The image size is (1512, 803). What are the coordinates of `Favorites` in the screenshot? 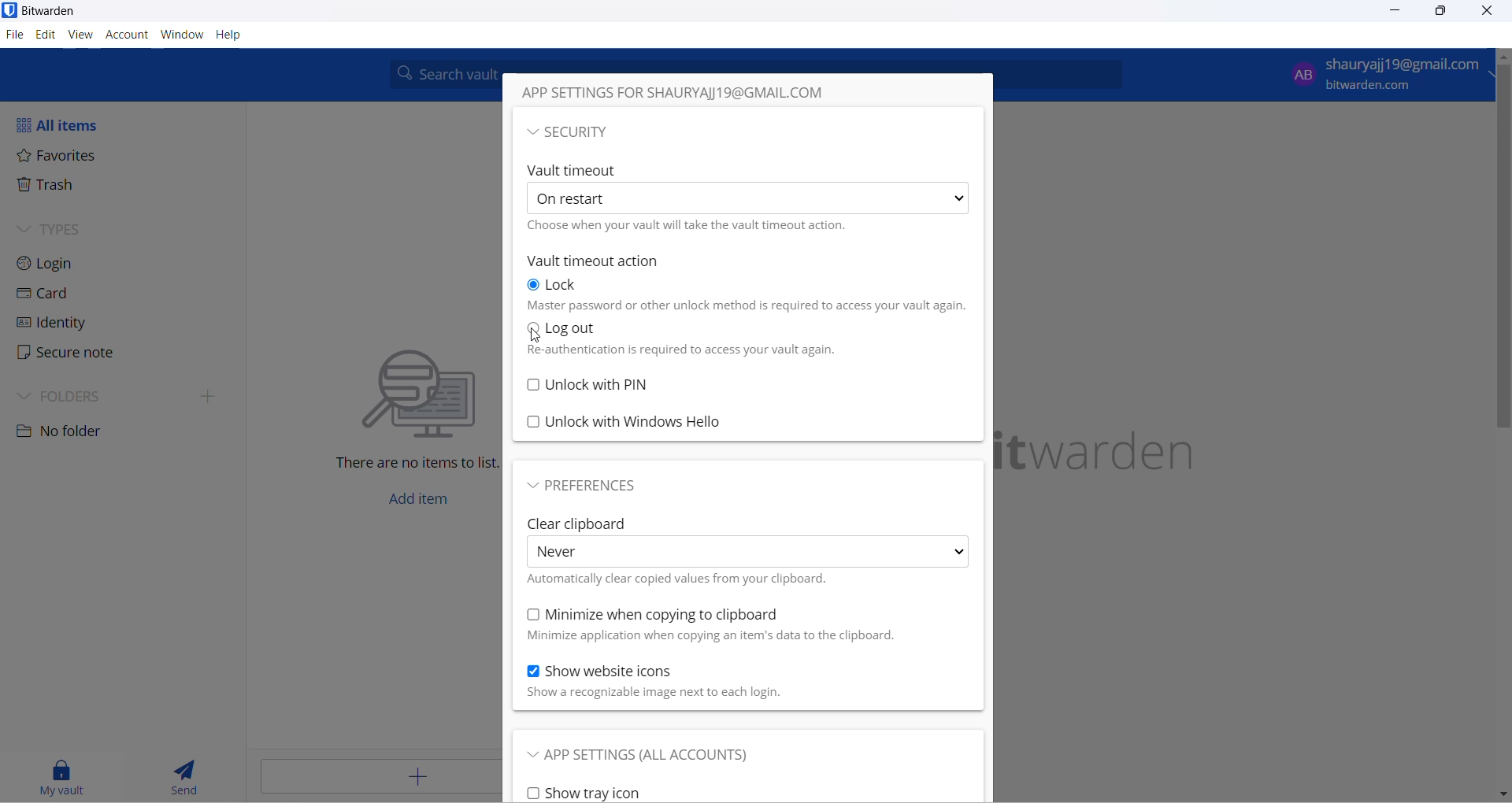 It's located at (62, 157).